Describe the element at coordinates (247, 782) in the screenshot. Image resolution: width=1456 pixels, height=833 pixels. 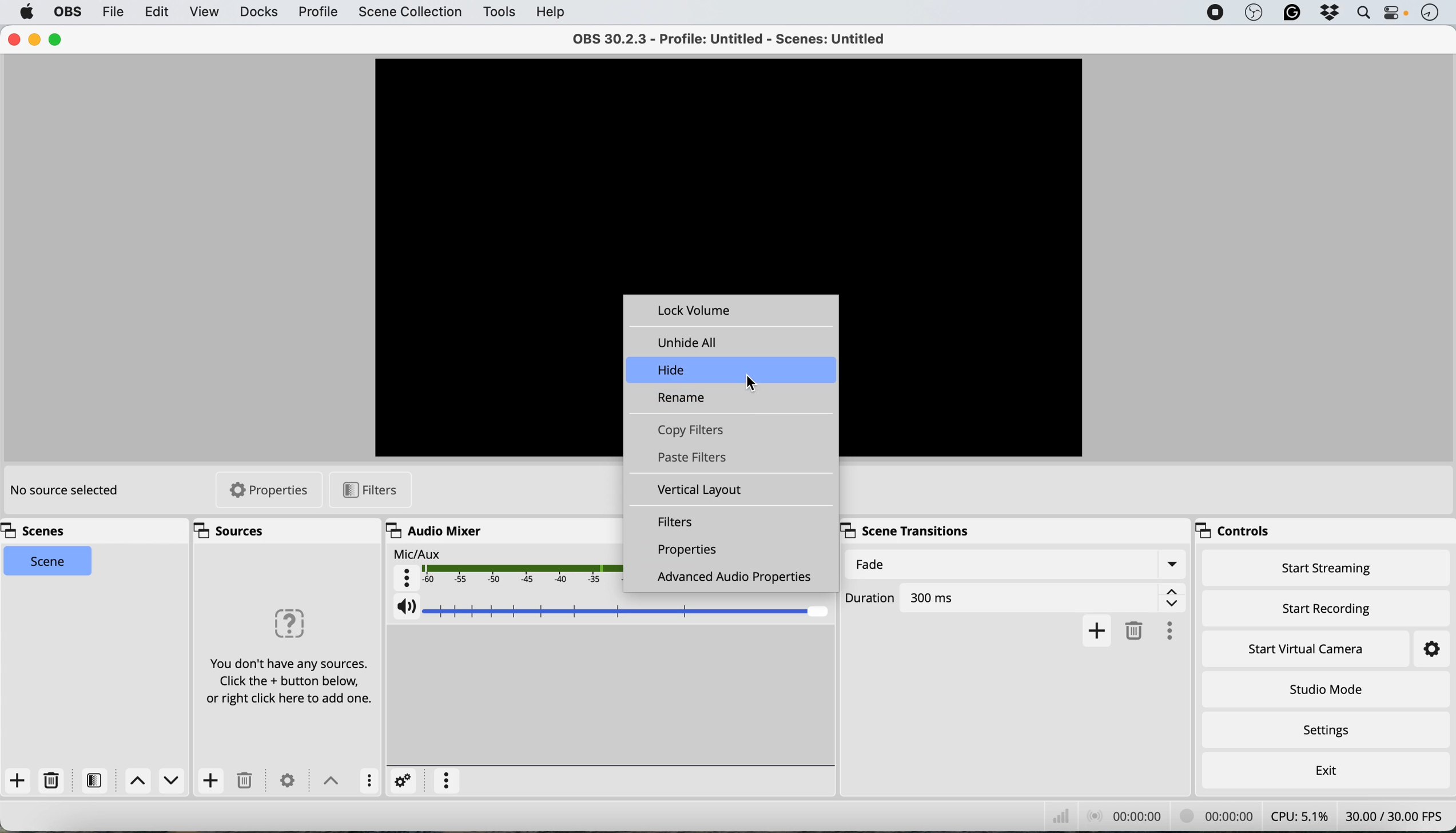
I see `delete source` at that location.